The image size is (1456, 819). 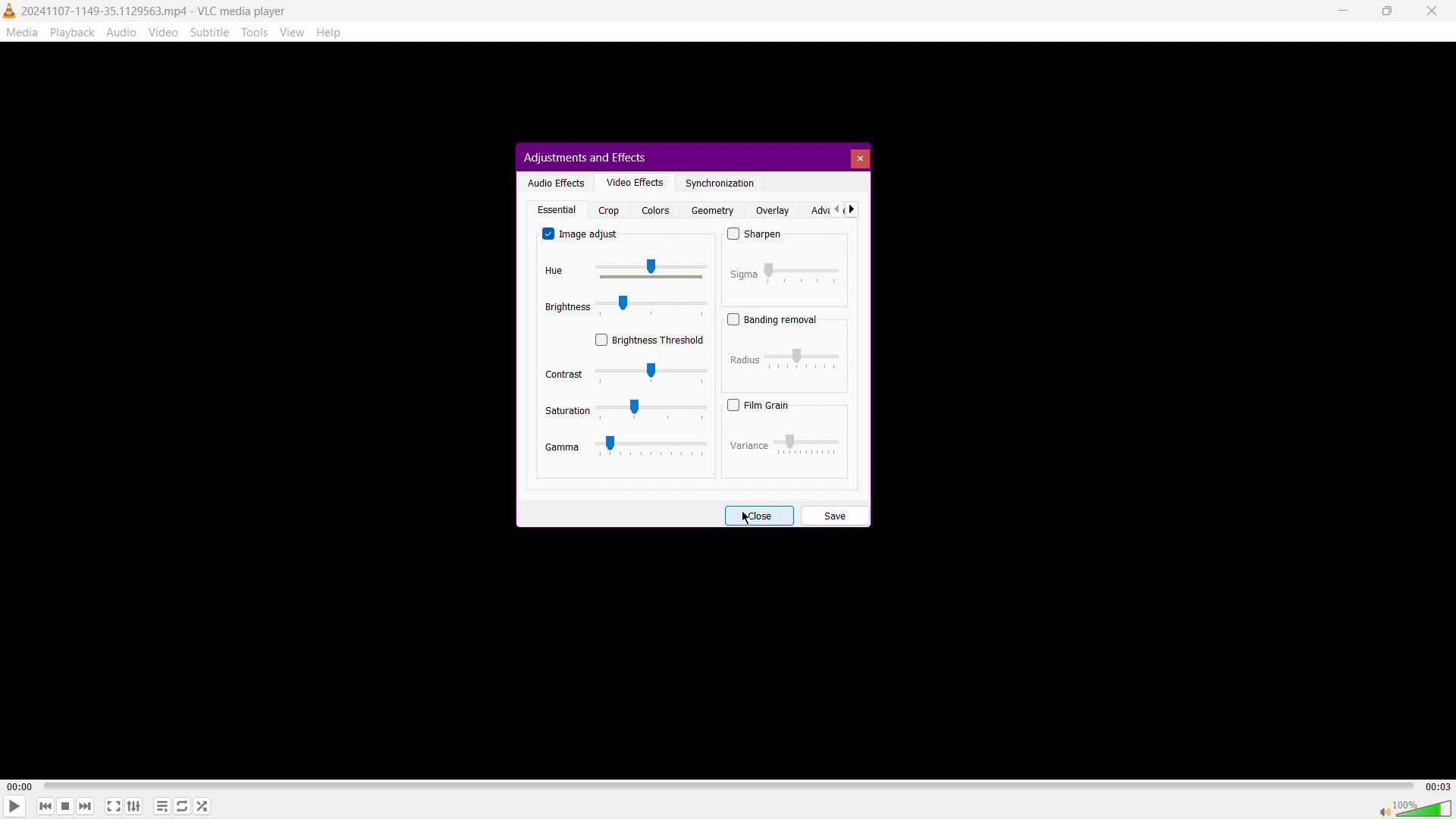 I want to click on Banding Removal, so click(x=773, y=319).